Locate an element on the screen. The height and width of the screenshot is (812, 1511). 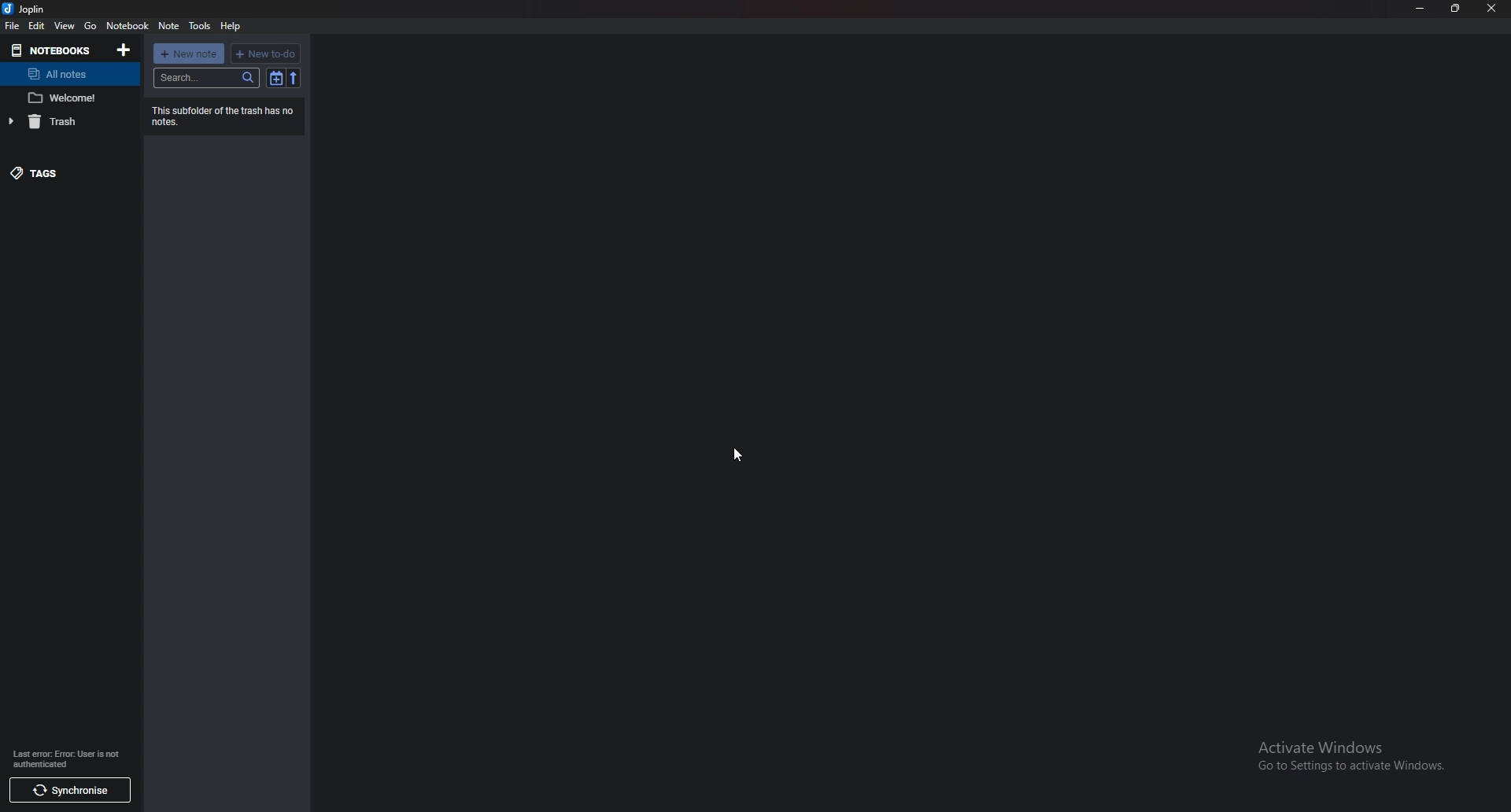
help is located at coordinates (231, 25).